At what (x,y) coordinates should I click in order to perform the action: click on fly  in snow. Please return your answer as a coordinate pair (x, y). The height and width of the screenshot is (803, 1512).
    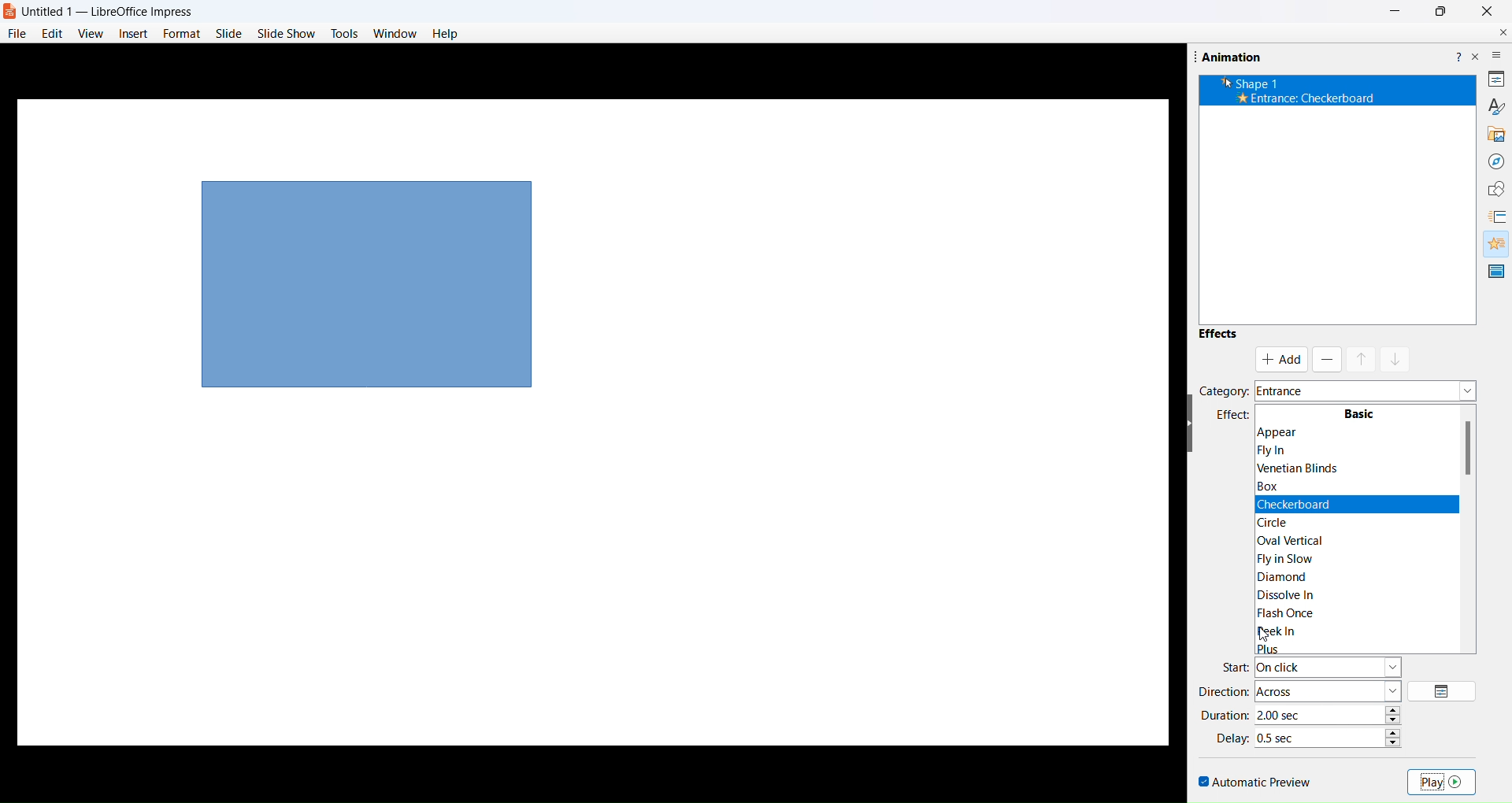
    Looking at the image, I should click on (1287, 558).